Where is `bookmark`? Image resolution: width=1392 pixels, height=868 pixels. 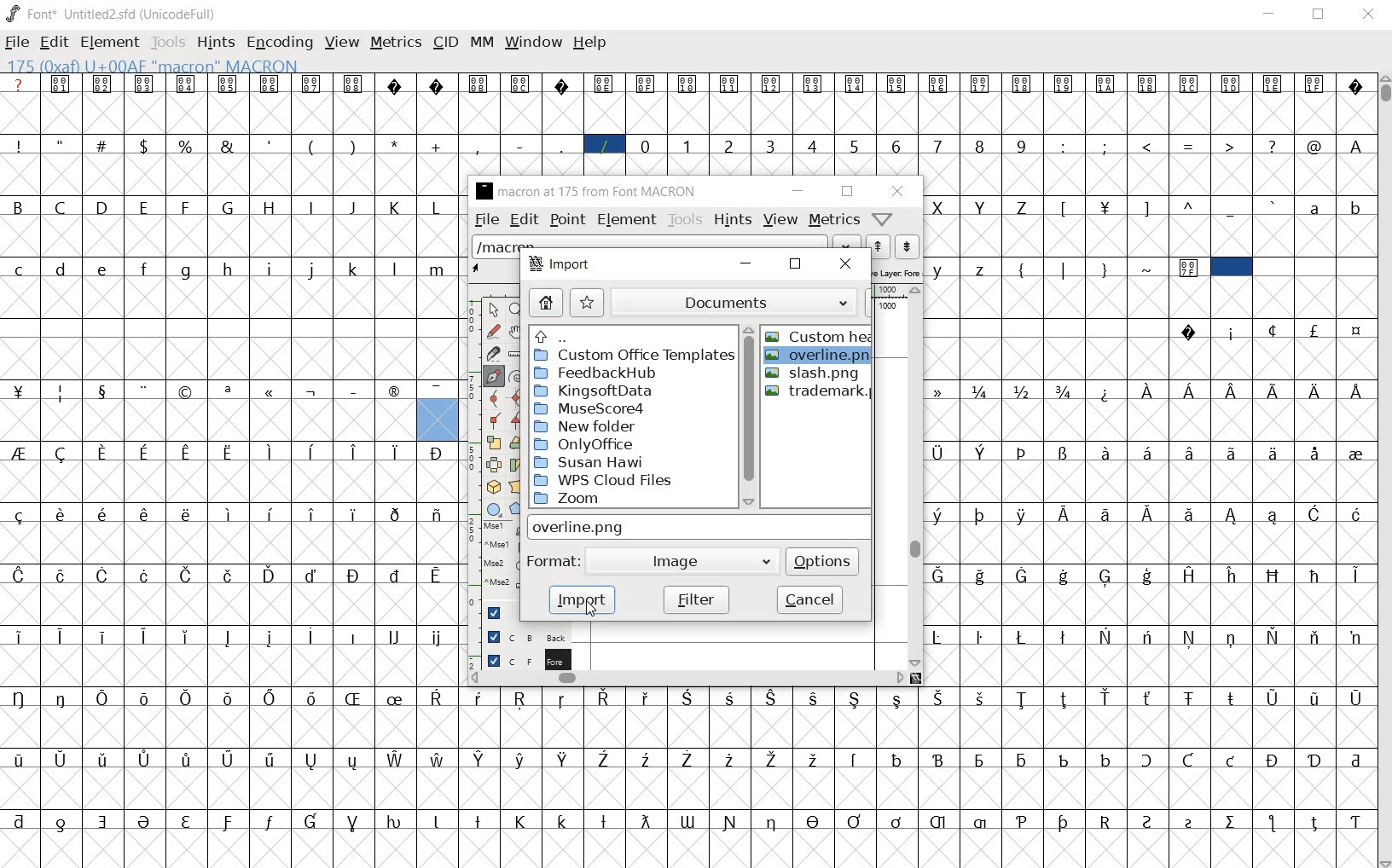 bookmark is located at coordinates (588, 302).